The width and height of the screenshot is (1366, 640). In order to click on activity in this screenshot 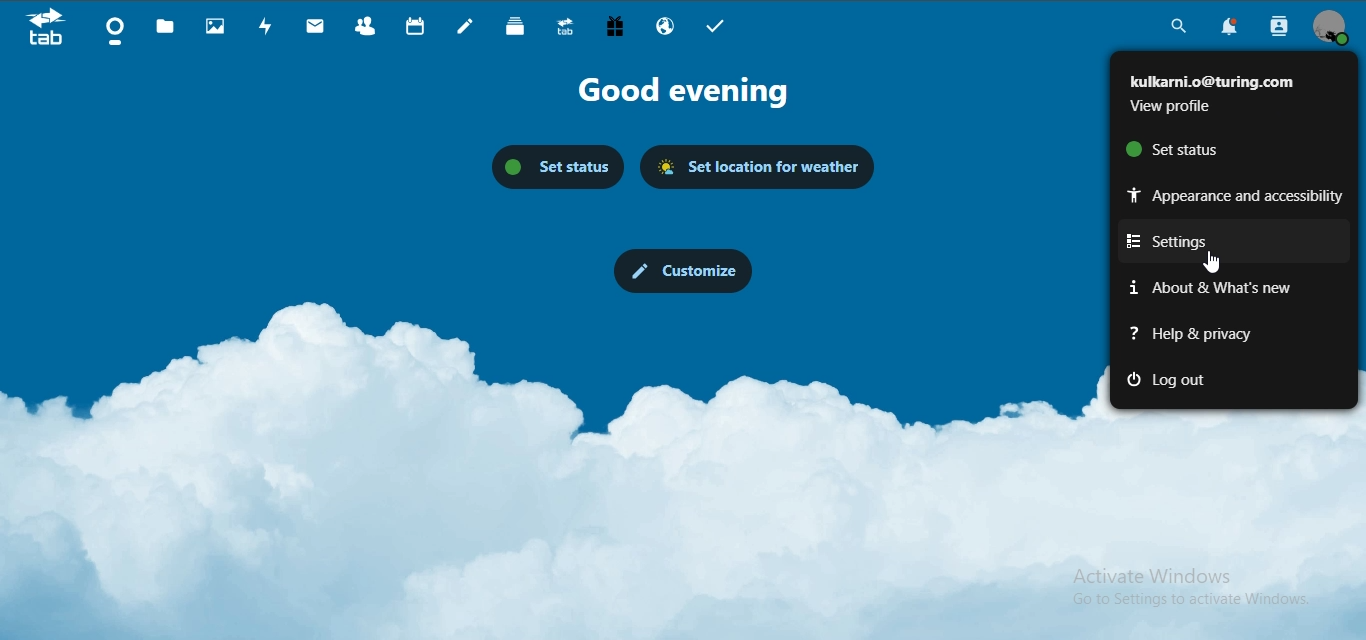, I will do `click(269, 26)`.